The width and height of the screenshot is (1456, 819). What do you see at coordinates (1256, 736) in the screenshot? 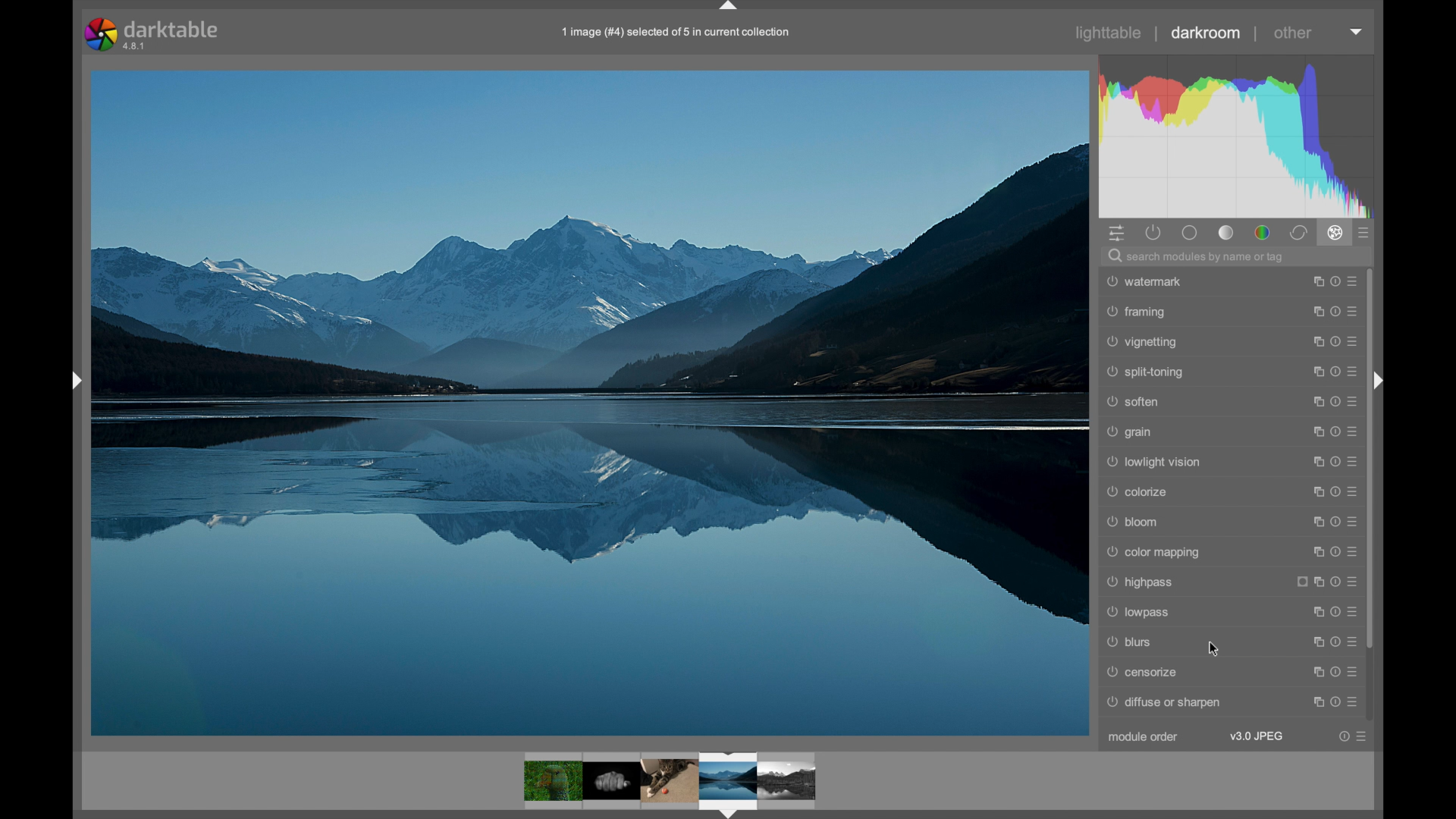
I see `v3.0jpeg` at bounding box center [1256, 736].